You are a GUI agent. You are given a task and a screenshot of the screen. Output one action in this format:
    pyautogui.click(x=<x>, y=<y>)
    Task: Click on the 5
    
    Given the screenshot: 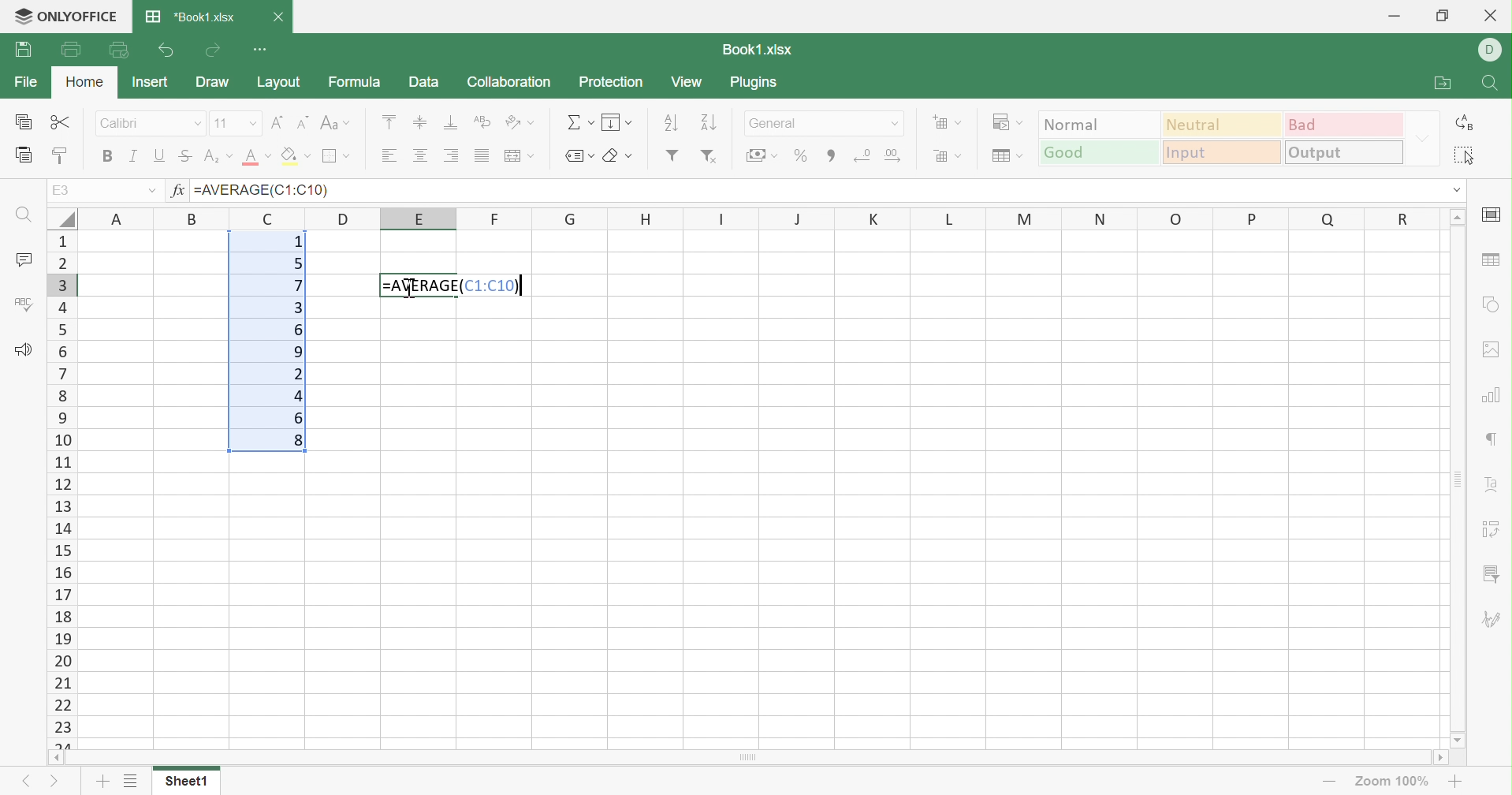 What is the action you would take?
    pyautogui.click(x=298, y=263)
    